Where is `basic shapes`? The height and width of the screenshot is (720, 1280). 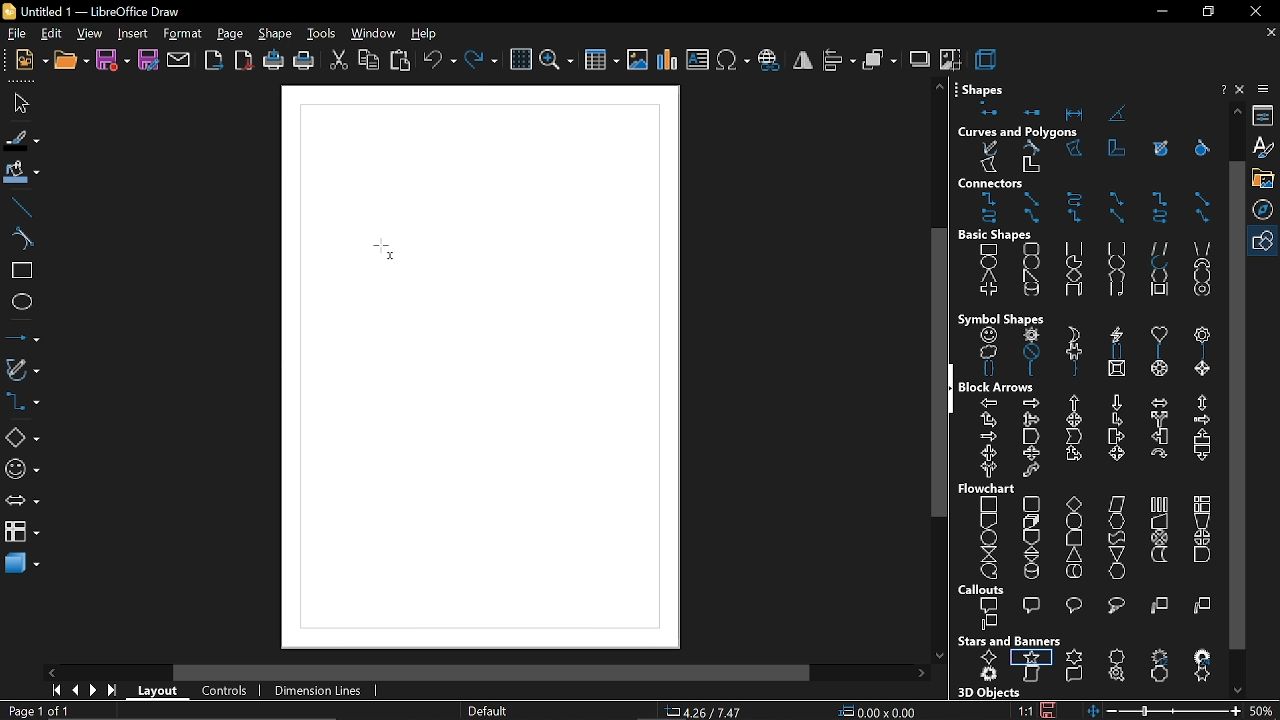
basic shapes is located at coordinates (1087, 272).